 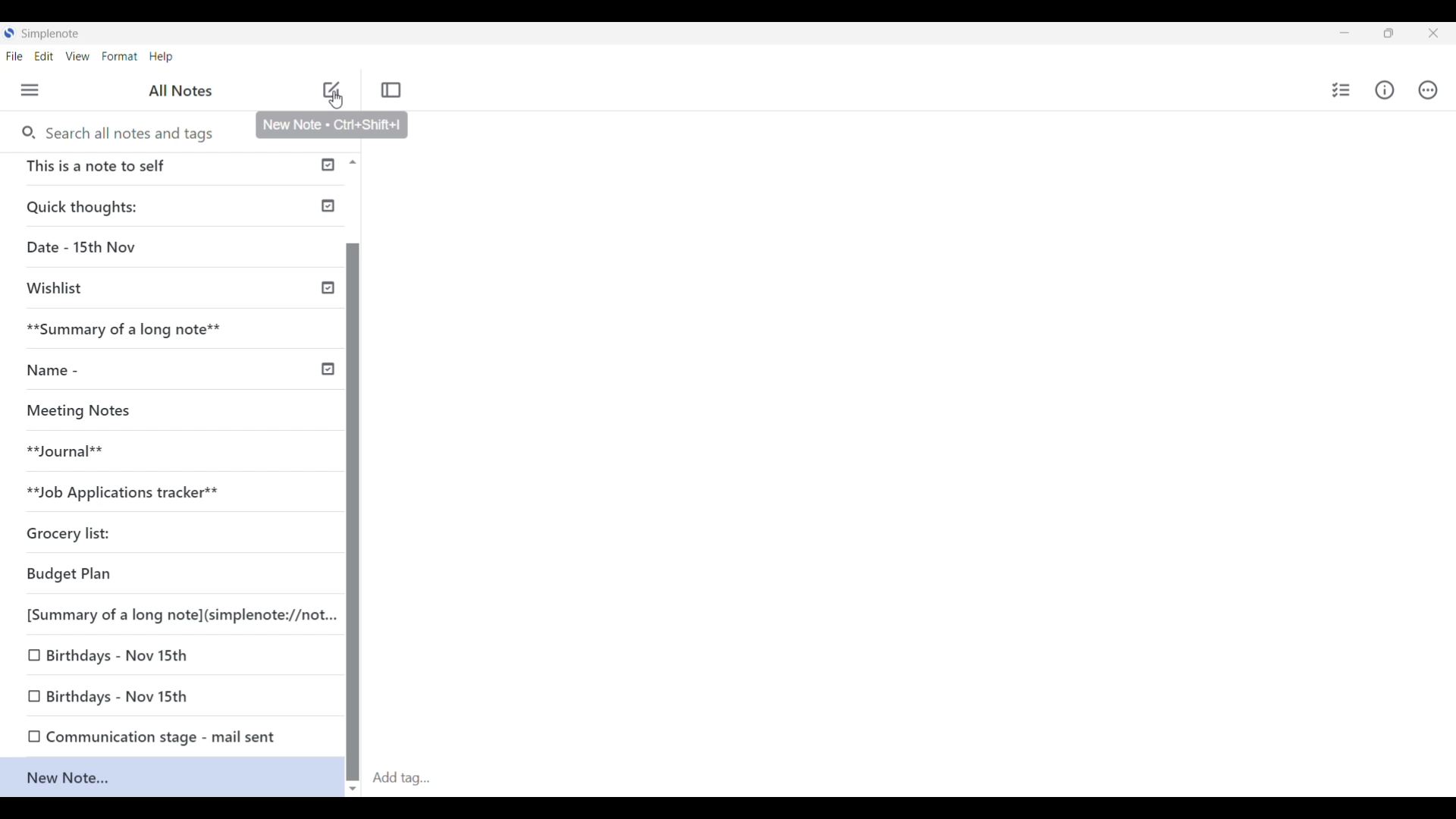 What do you see at coordinates (128, 654) in the screenshot?
I see `0 Birthdays - Nov 15th` at bounding box center [128, 654].